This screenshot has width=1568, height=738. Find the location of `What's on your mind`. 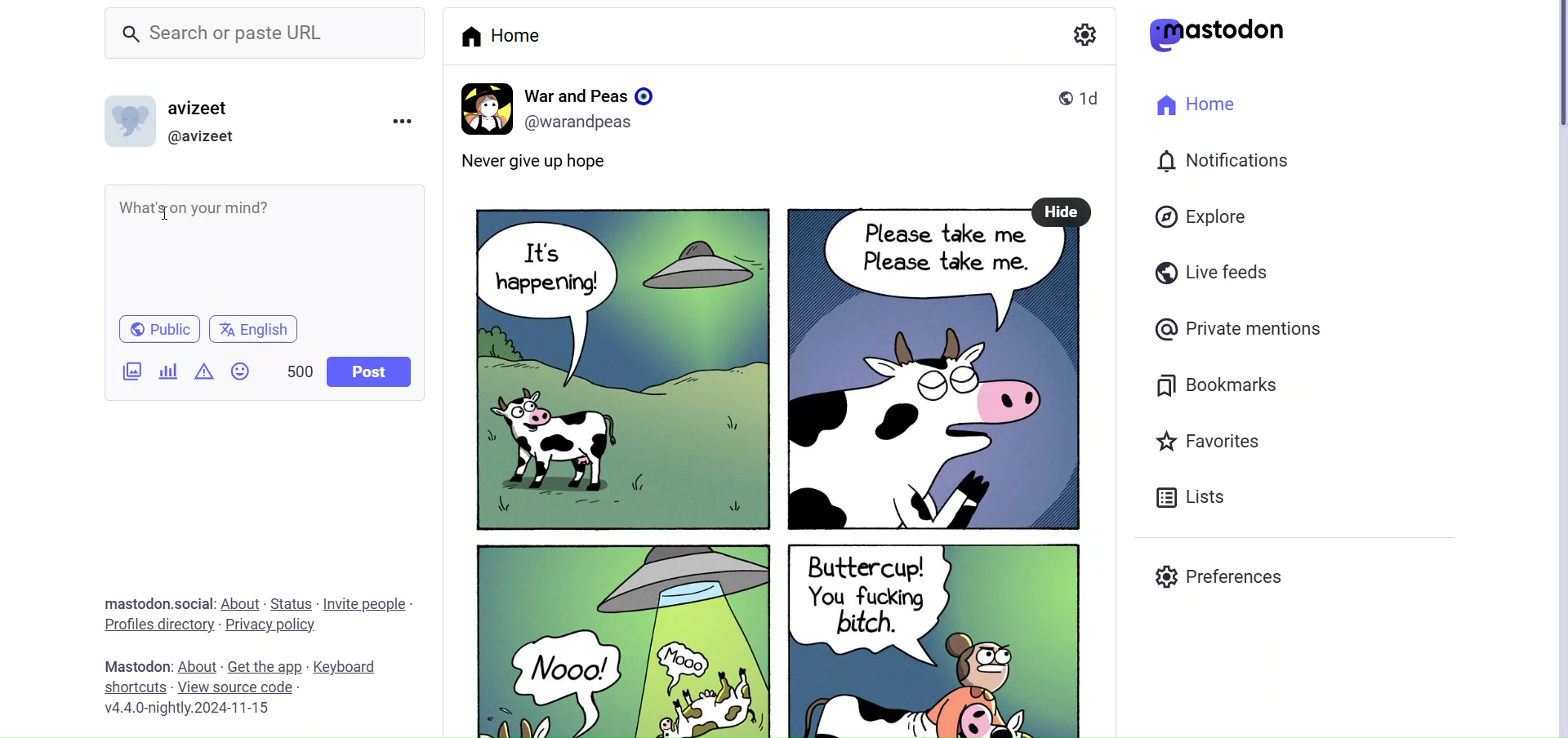

What's on your mind is located at coordinates (261, 247).